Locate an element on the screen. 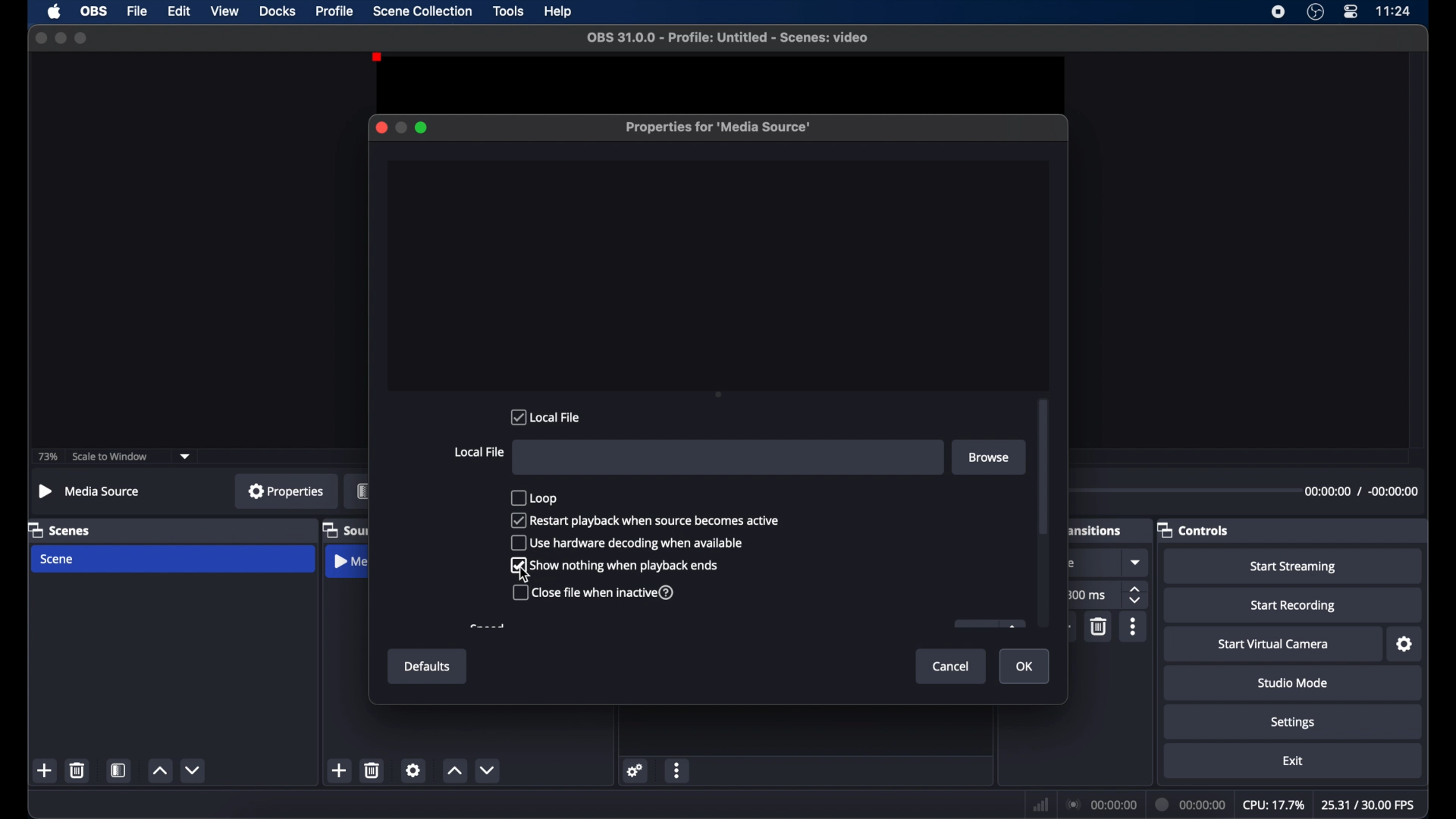  filters is located at coordinates (363, 490).